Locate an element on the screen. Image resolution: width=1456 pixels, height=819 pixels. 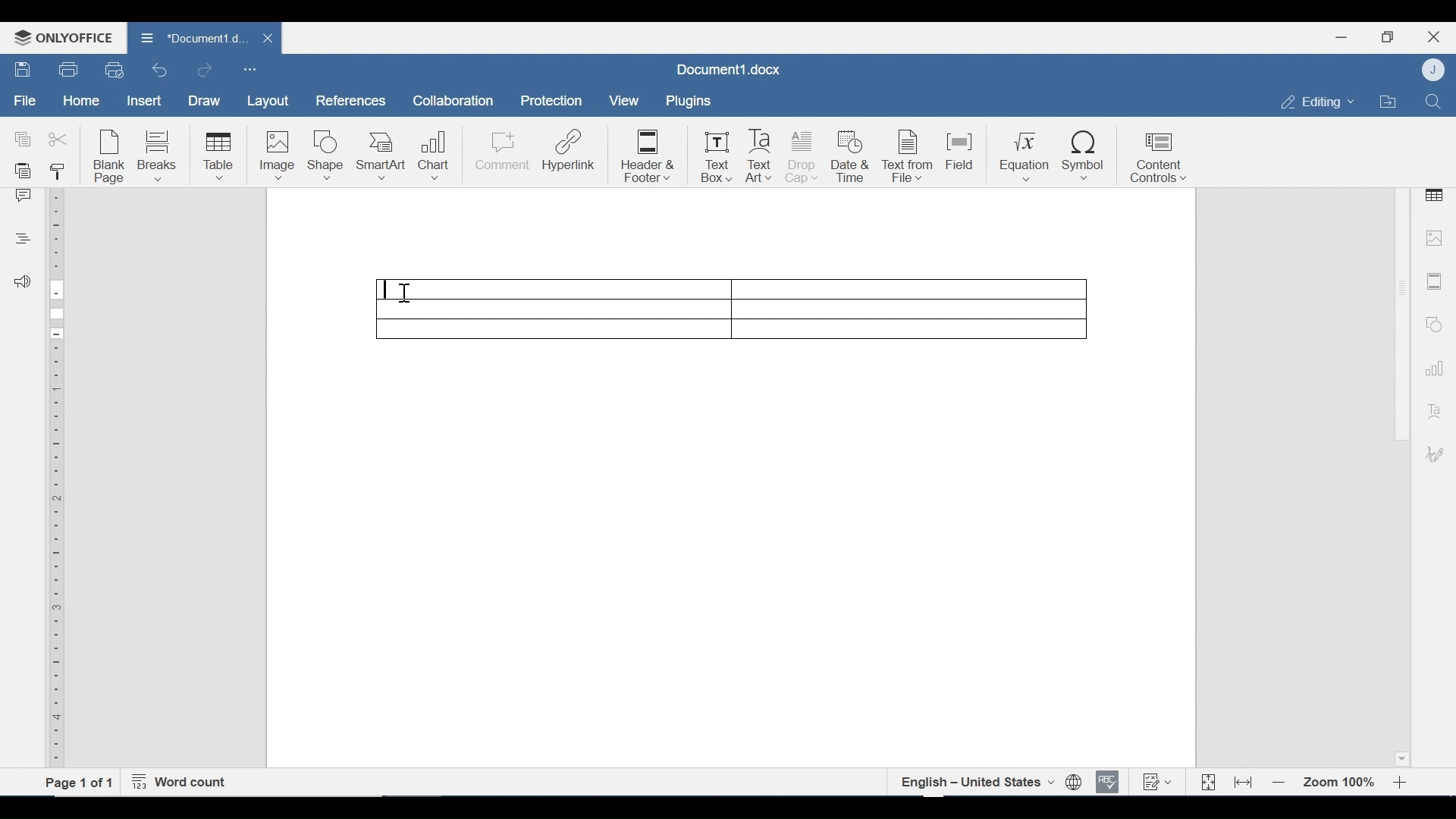
Table Settings is located at coordinates (1435, 196).